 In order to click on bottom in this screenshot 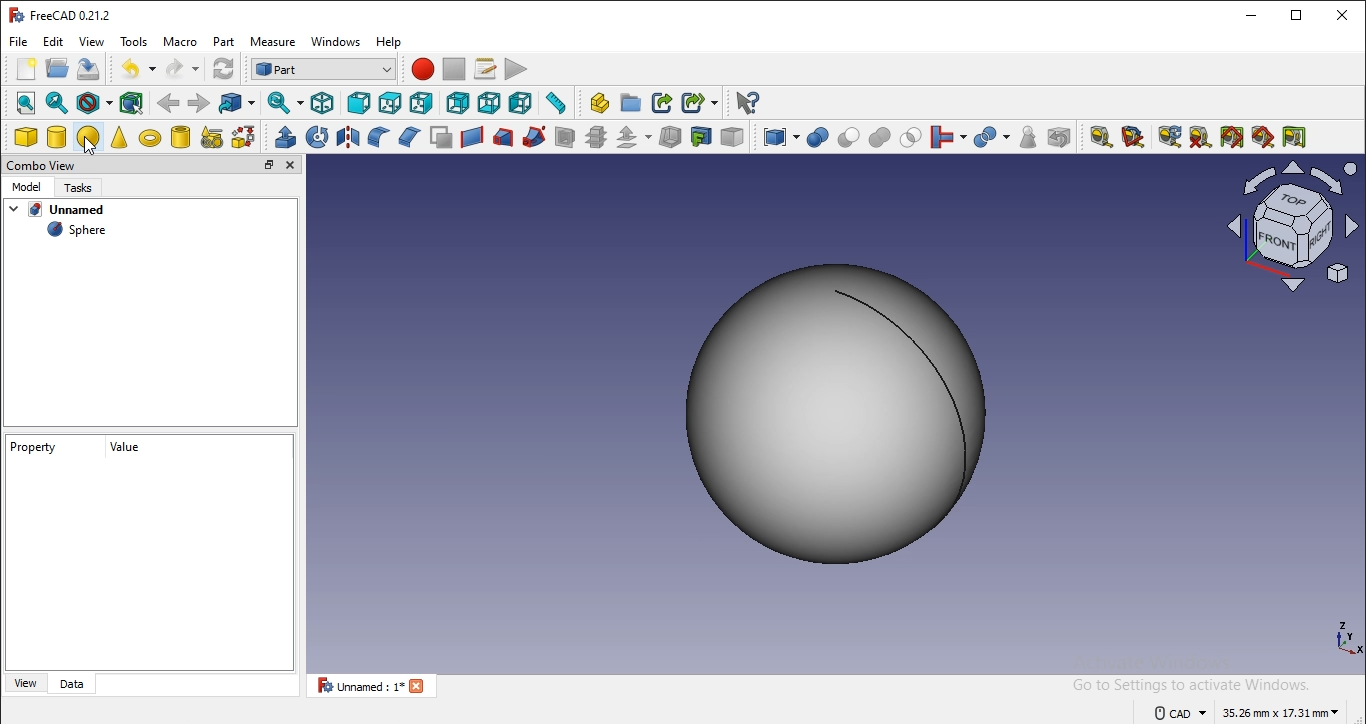, I will do `click(488, 103)`.